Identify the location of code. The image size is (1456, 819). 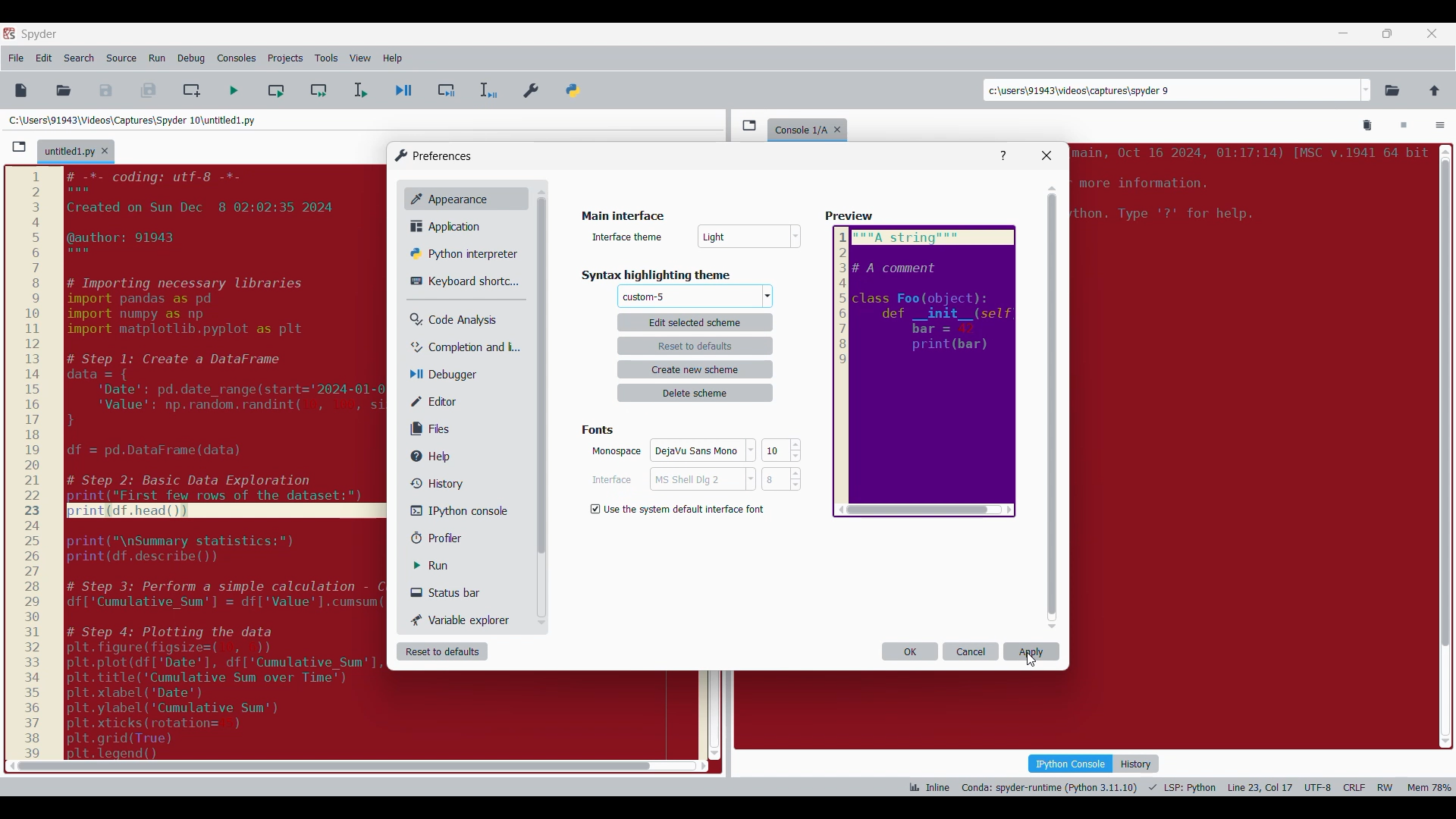
(1247, 190).